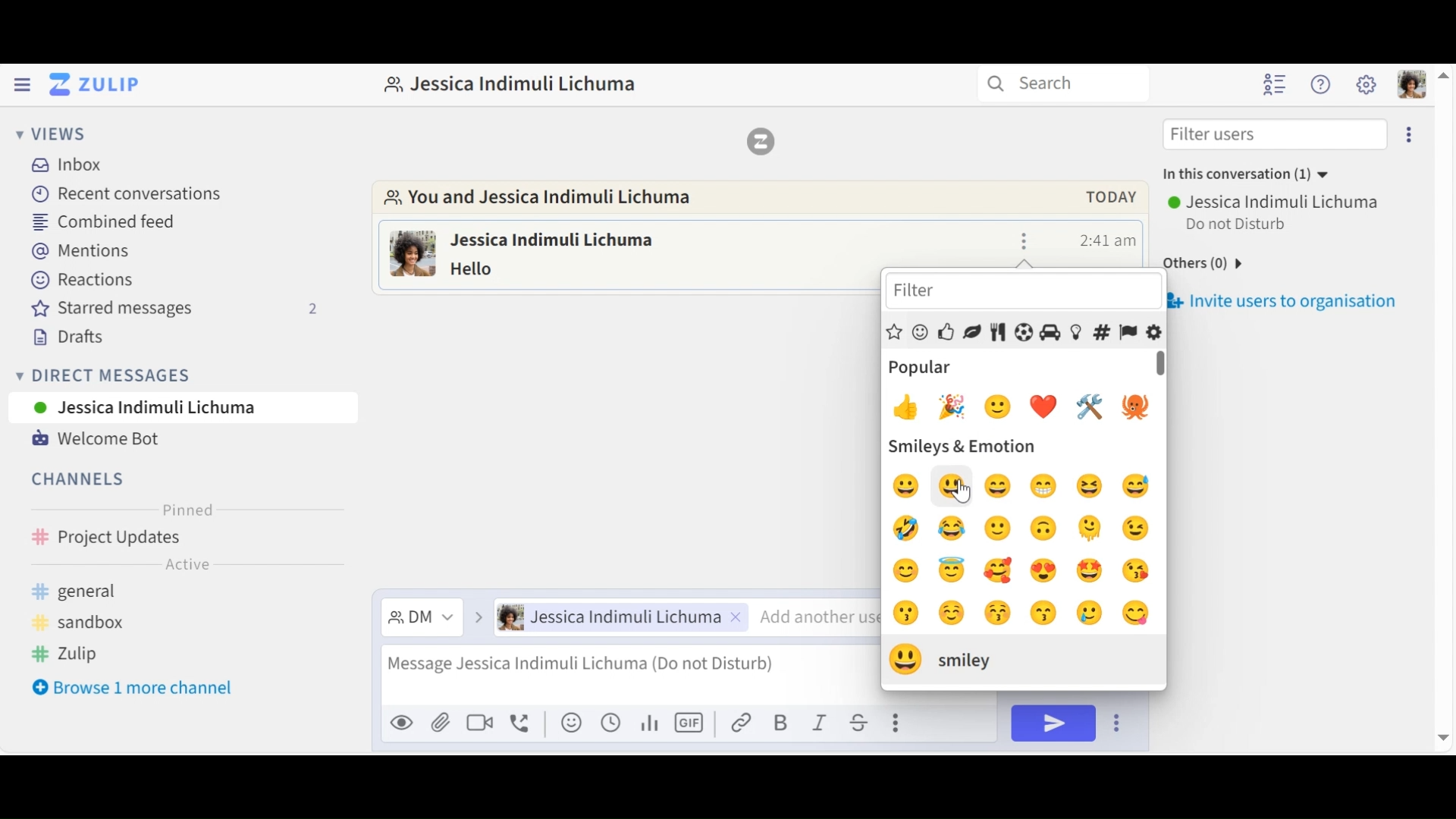  Describe the element at coordinates (861, 722) in the screenshot. I see `Strikethrough` at that location.